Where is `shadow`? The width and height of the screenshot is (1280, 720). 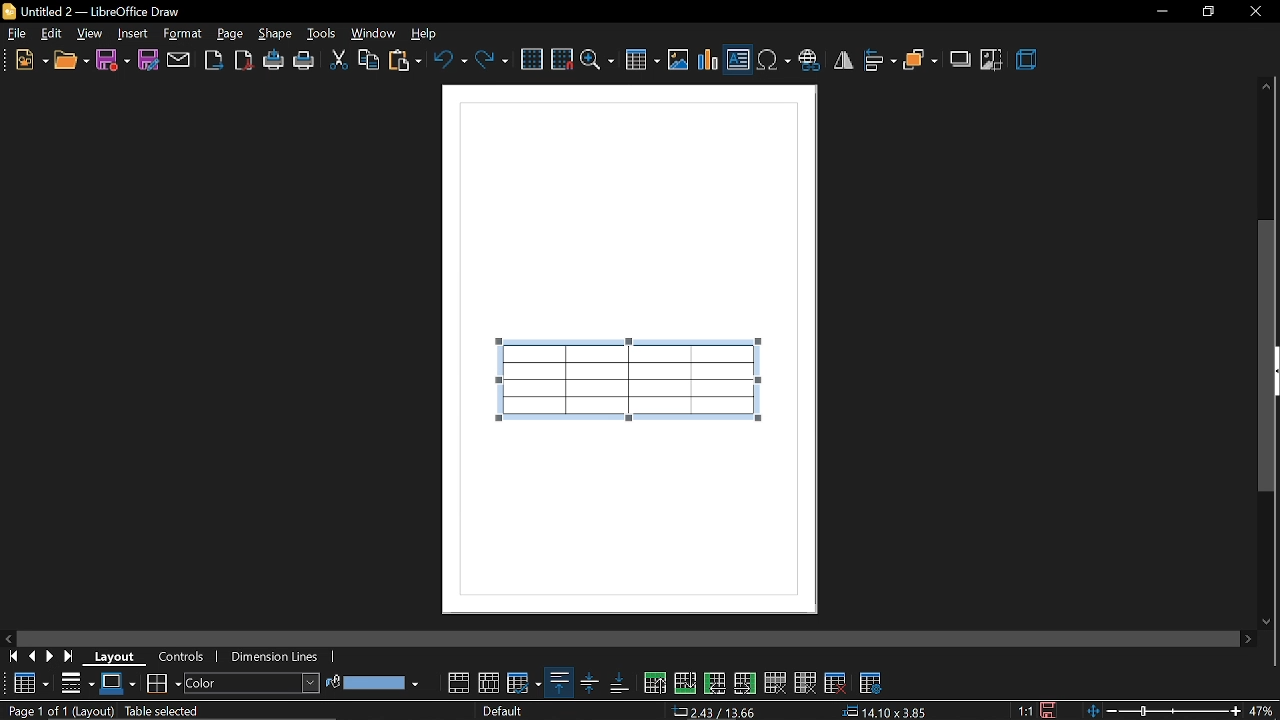
shadow is located at coordinates (958, 60).